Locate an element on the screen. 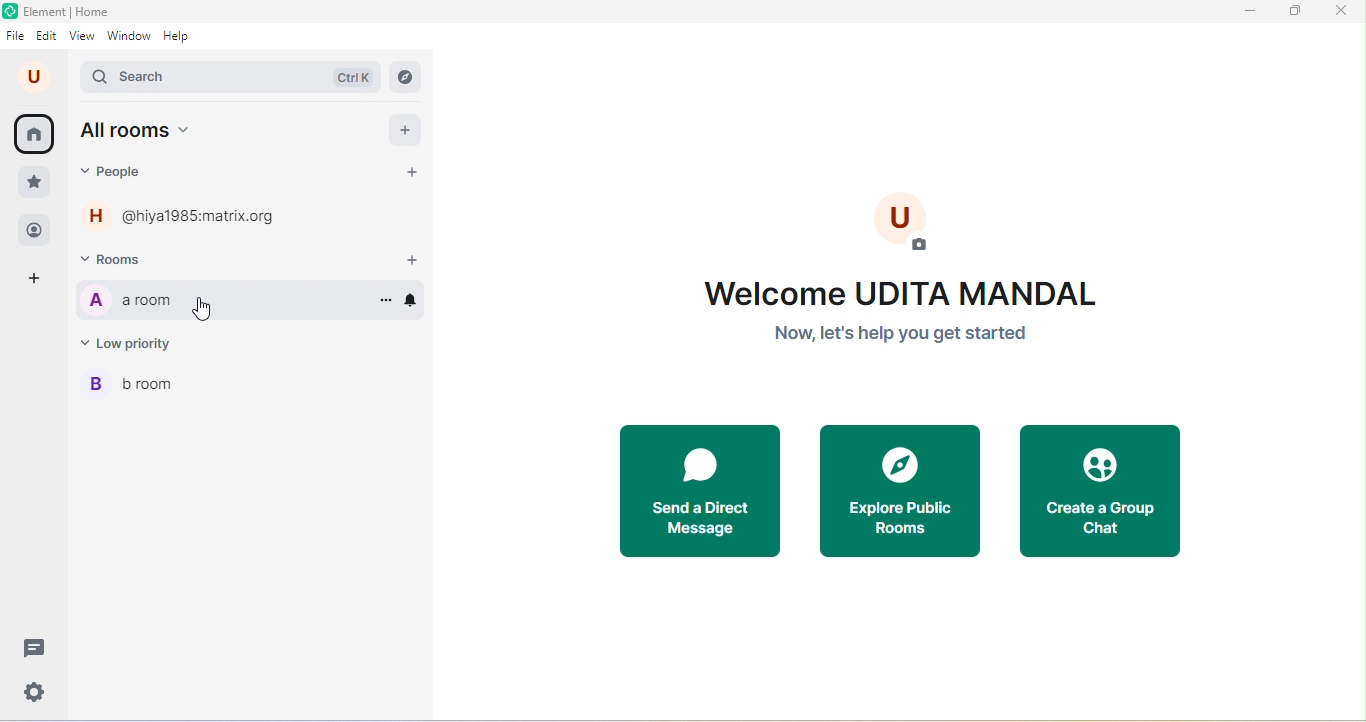  hiya 1985 is located at coordinates (183, 215).